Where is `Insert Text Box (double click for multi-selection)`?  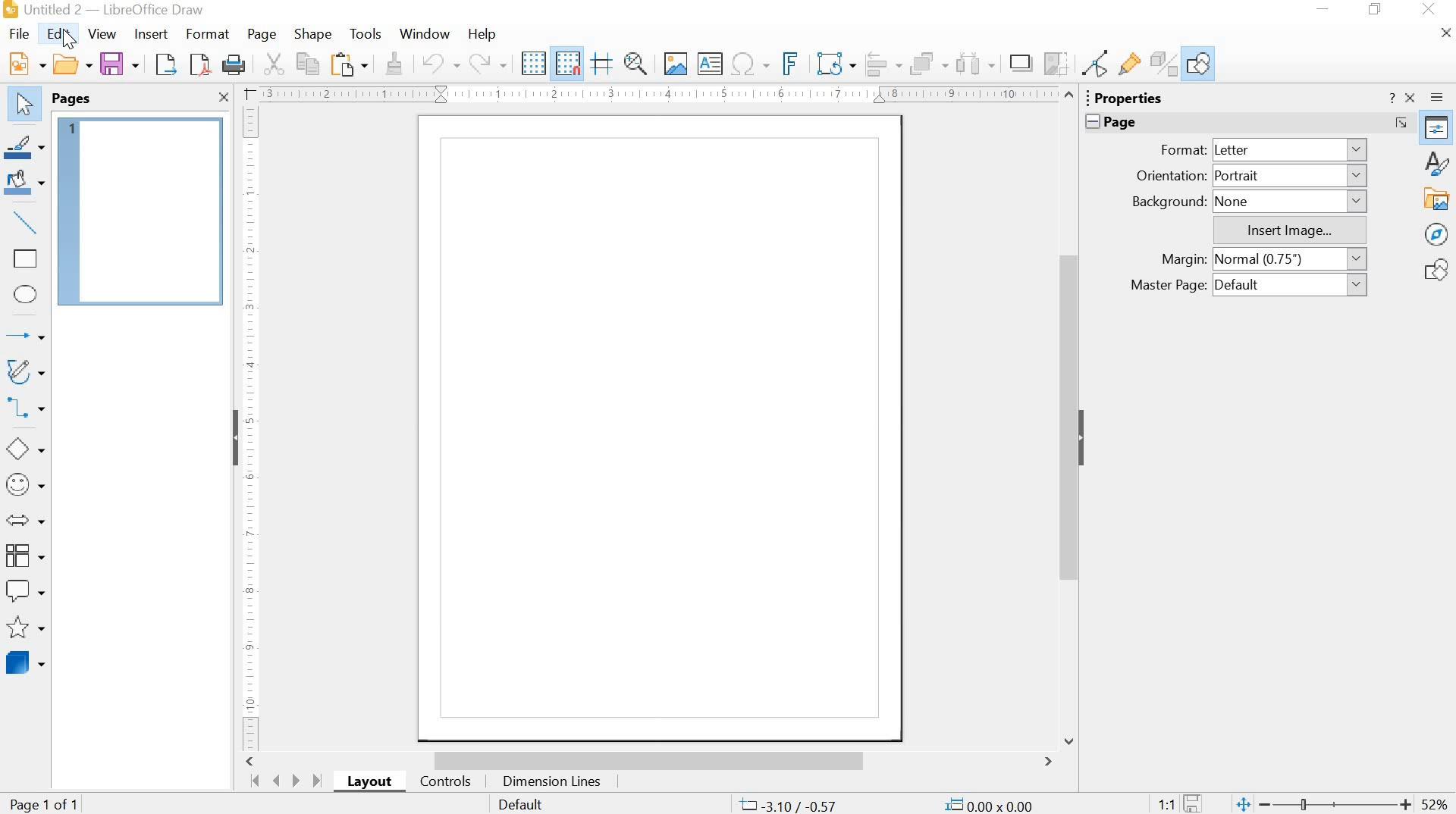 Insert Text Box (double click for multi-selection) is located at coordinates (702, 64).